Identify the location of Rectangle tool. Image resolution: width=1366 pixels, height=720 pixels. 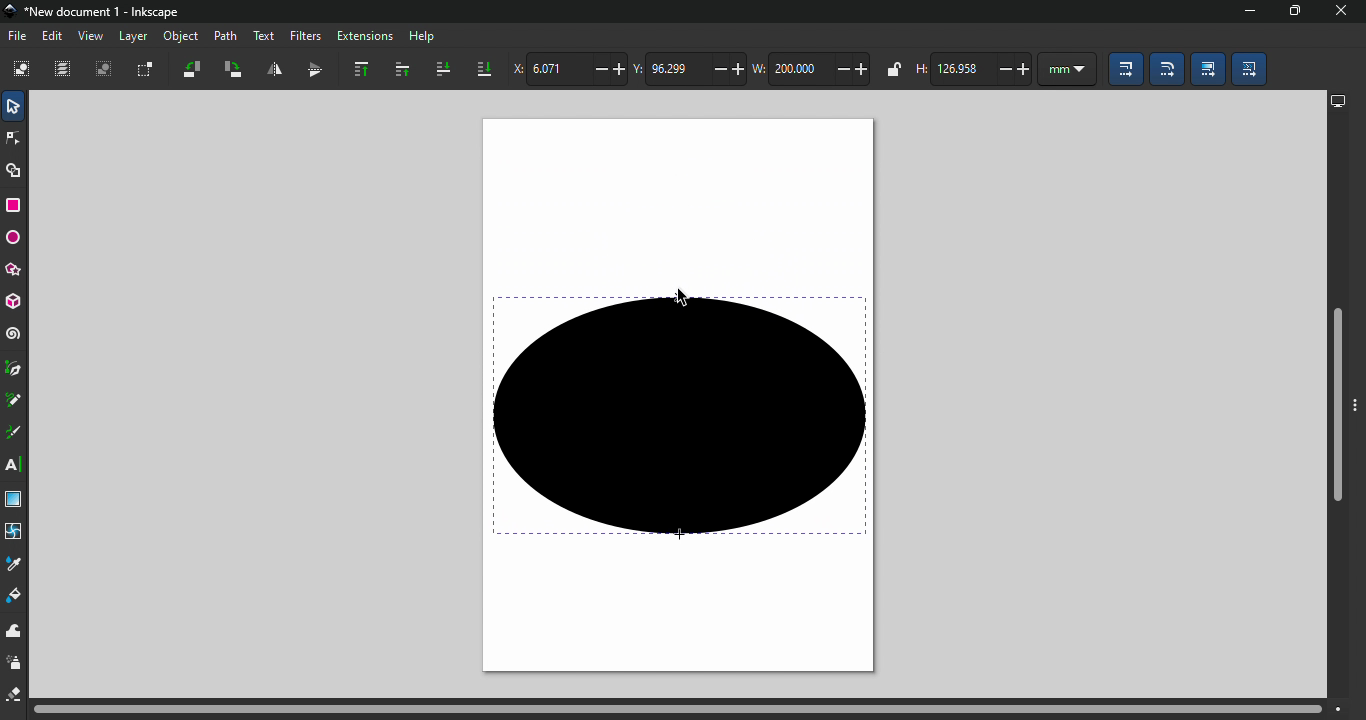
(15, 205).